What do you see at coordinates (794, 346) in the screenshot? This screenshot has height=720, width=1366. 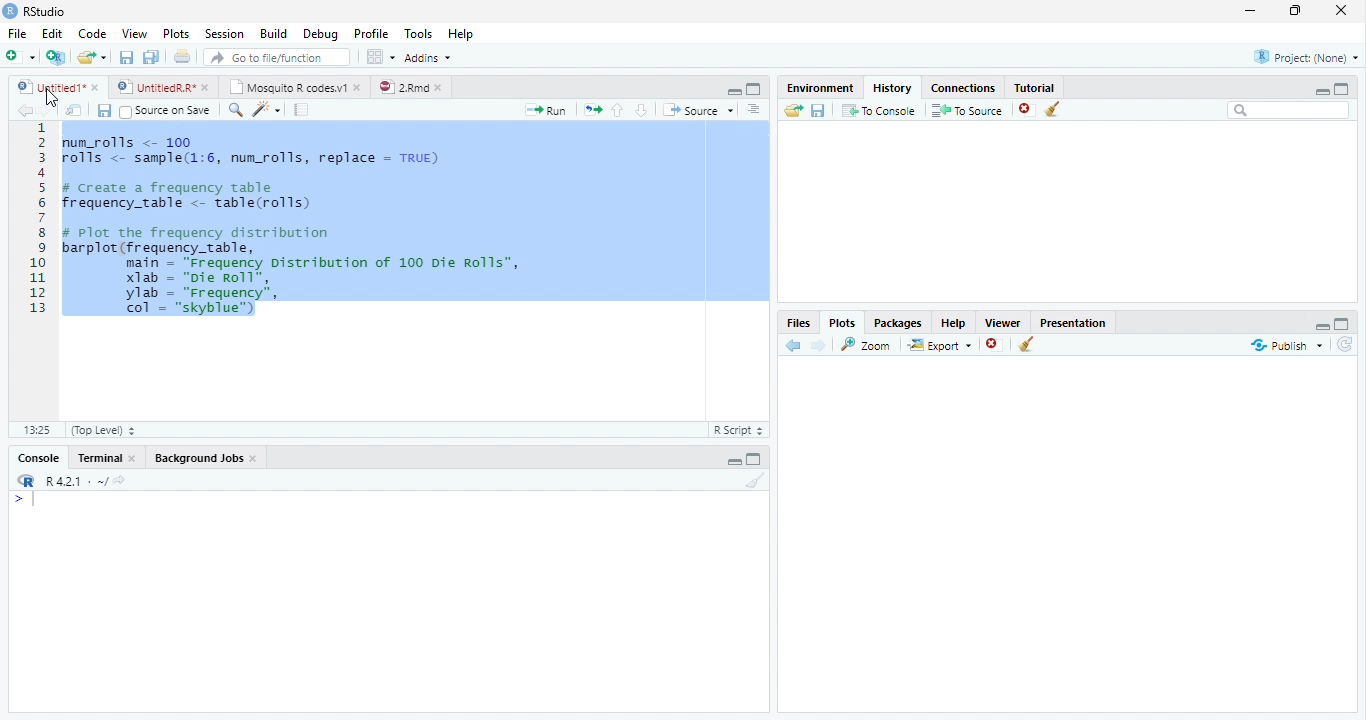 I see `Previous Slot` at bounding box center [794, 346].